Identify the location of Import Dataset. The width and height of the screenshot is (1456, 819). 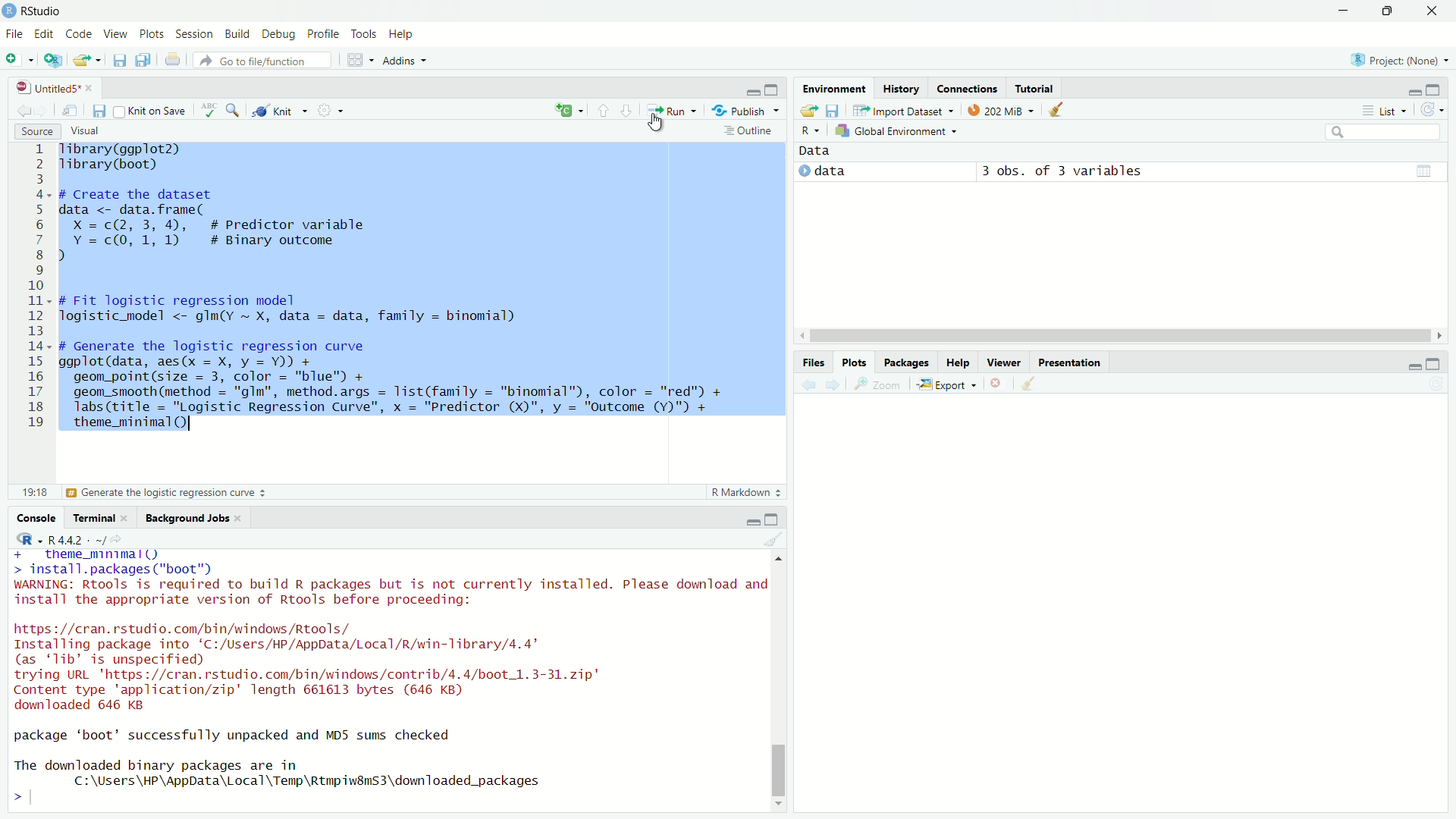
(903, 110).